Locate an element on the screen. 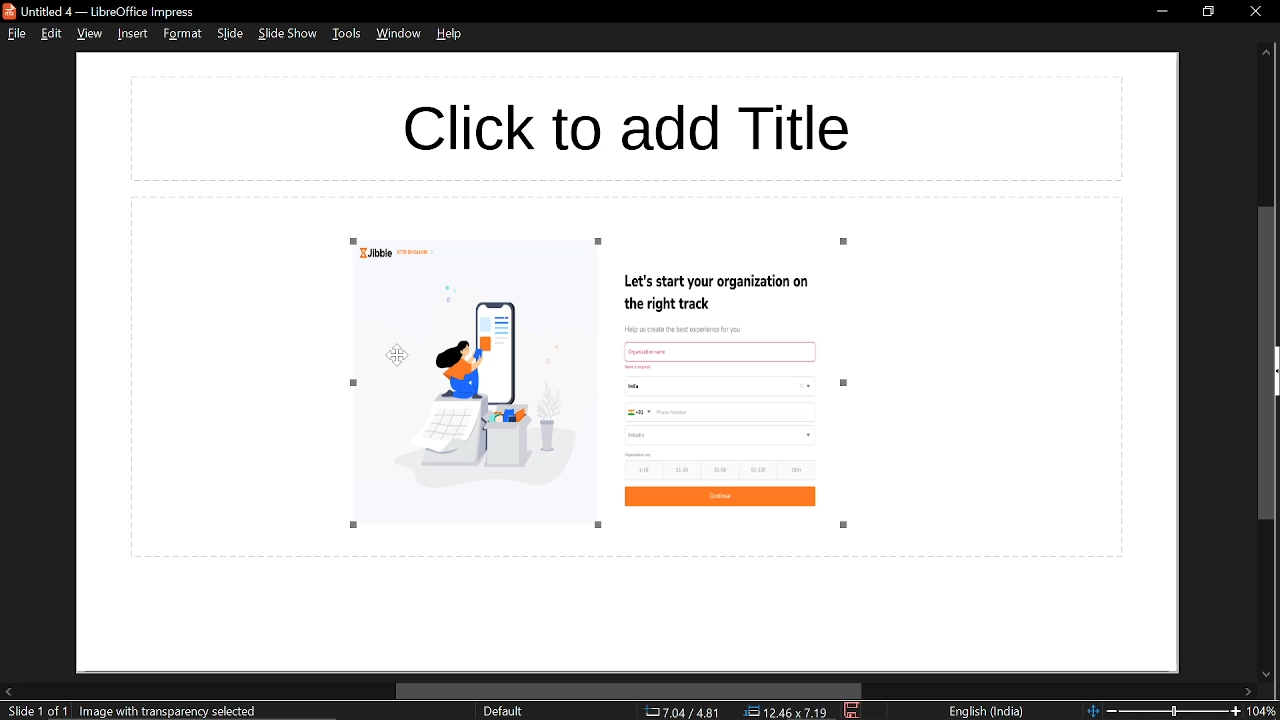 The width and height of the screenshot is (1280, 720). edit is located at coordinates (50, 34).